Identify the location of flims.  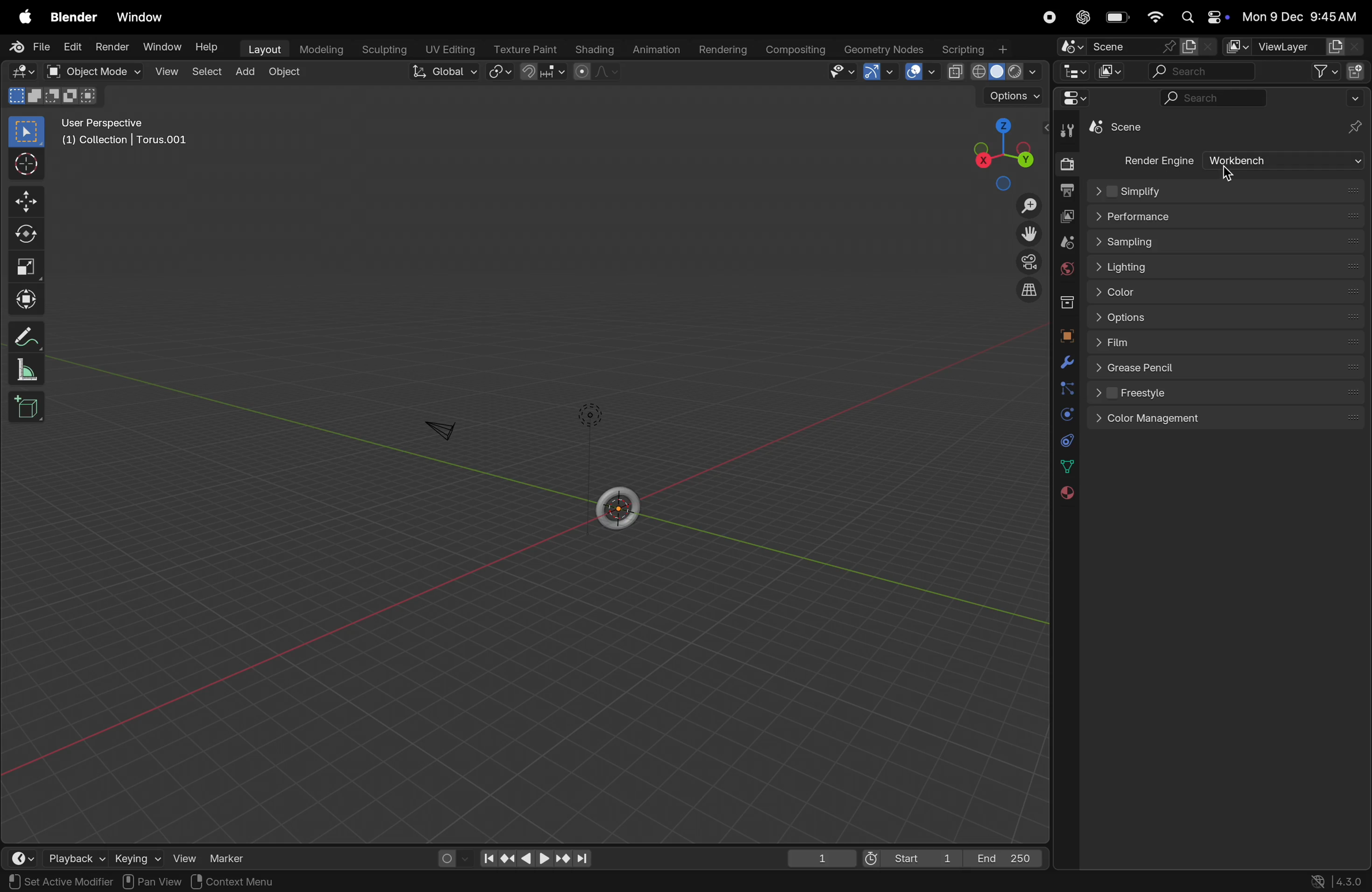
(1227, 344).